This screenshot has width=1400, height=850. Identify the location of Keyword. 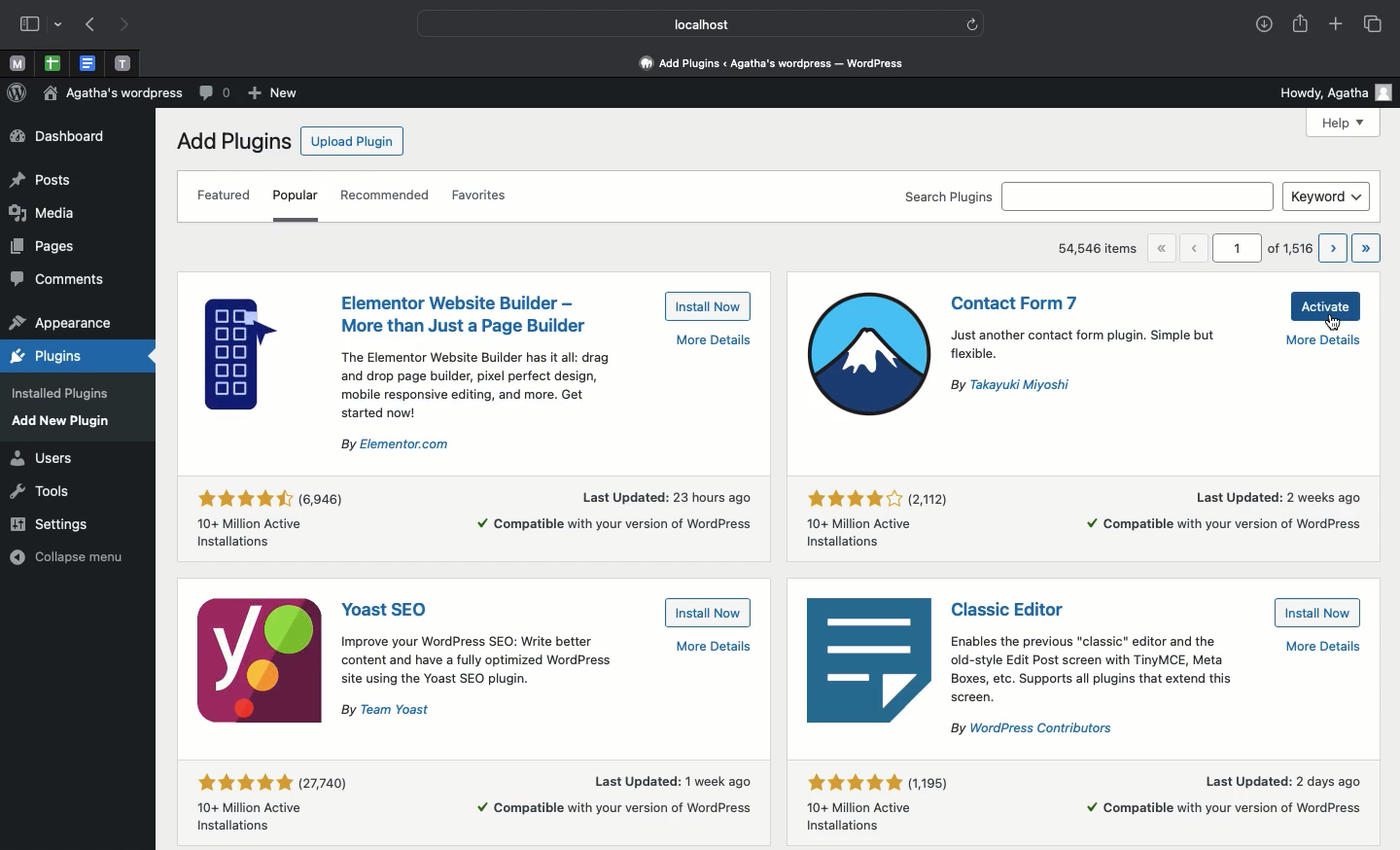
(1327, 196).